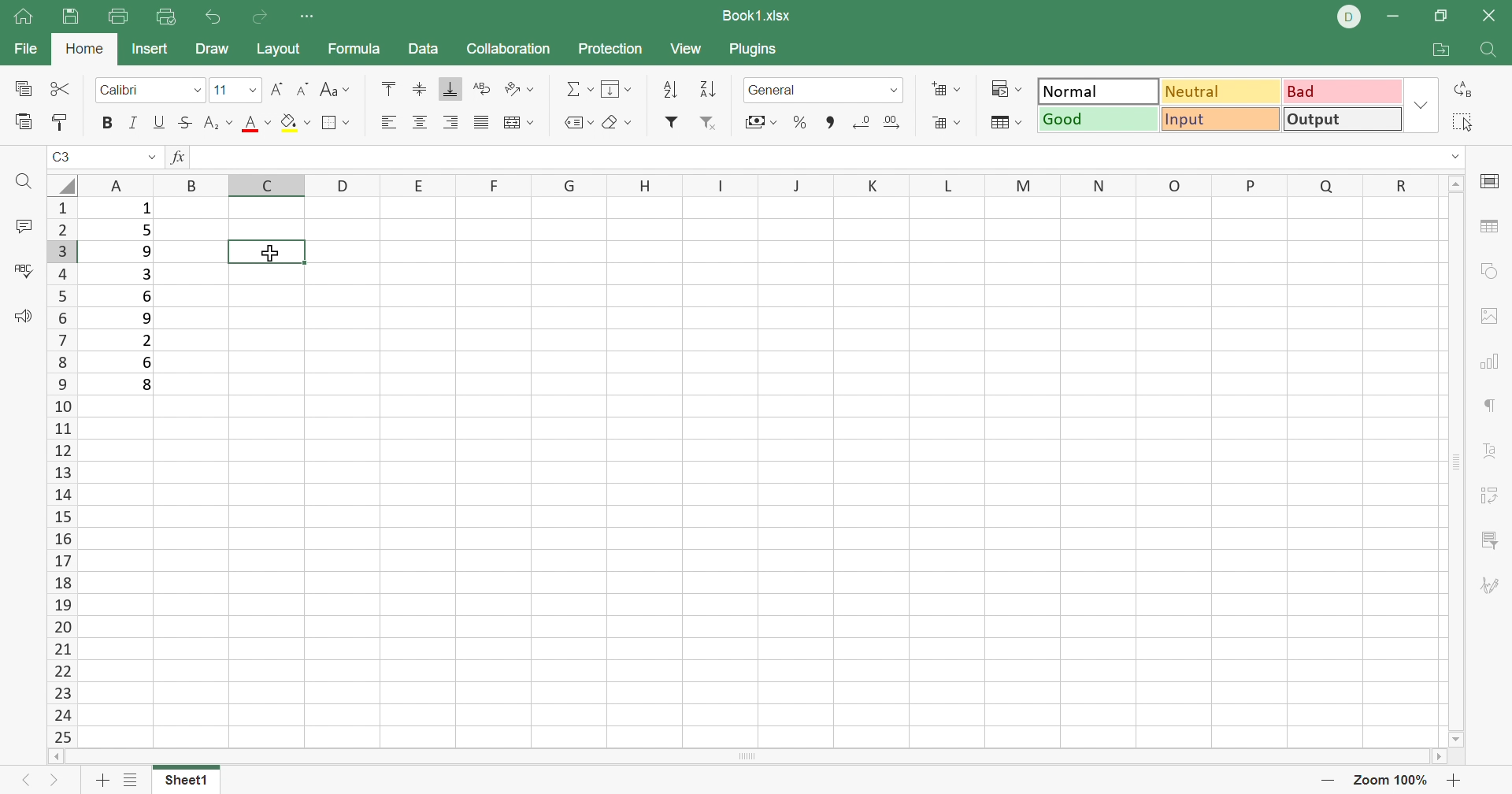 The width and height of the screenshot is (1512, 794). I want to click on Protection, so click(609, 49).